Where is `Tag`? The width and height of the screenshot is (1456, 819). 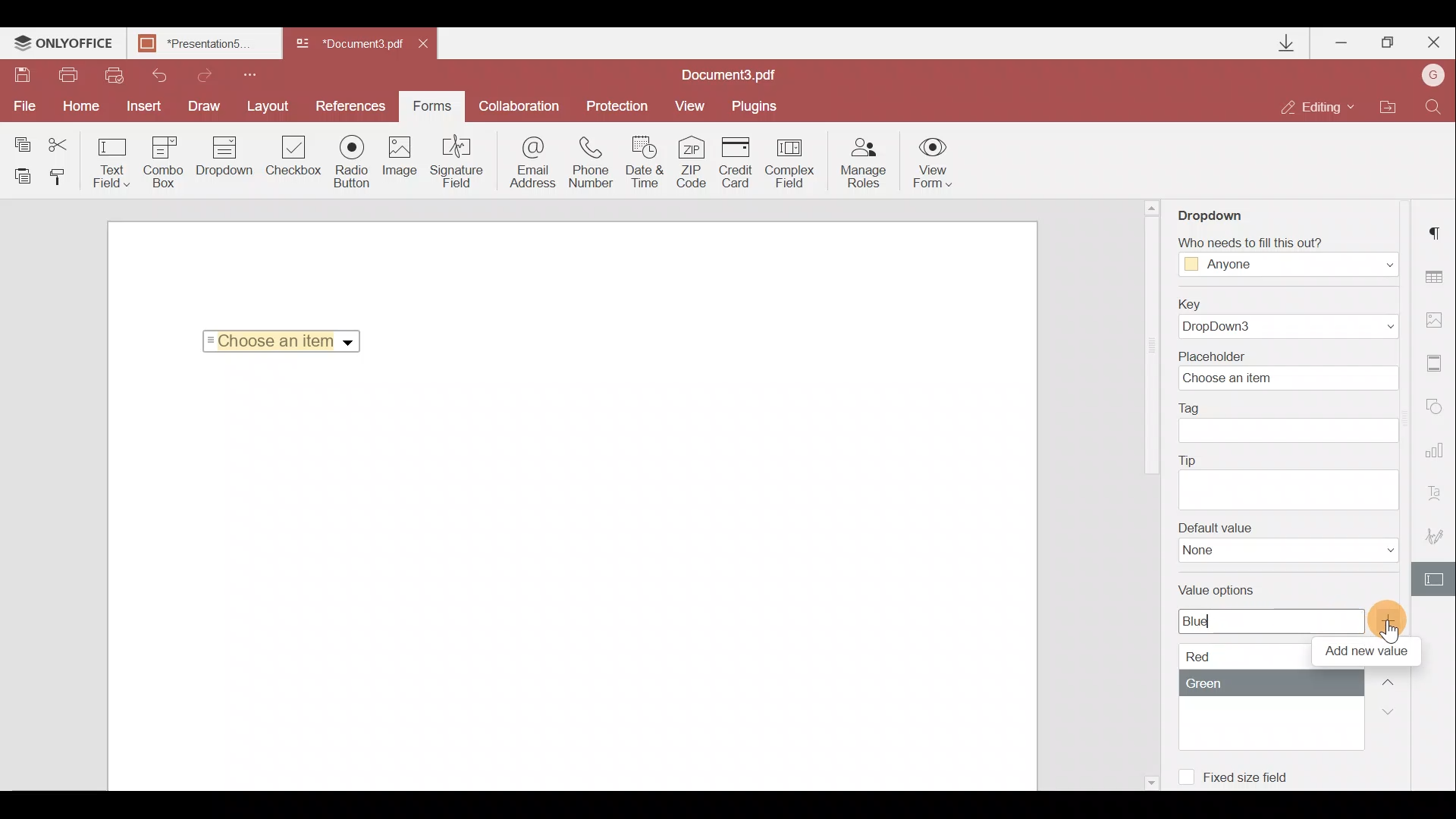
Tag is located at coordinates (1295, 424).